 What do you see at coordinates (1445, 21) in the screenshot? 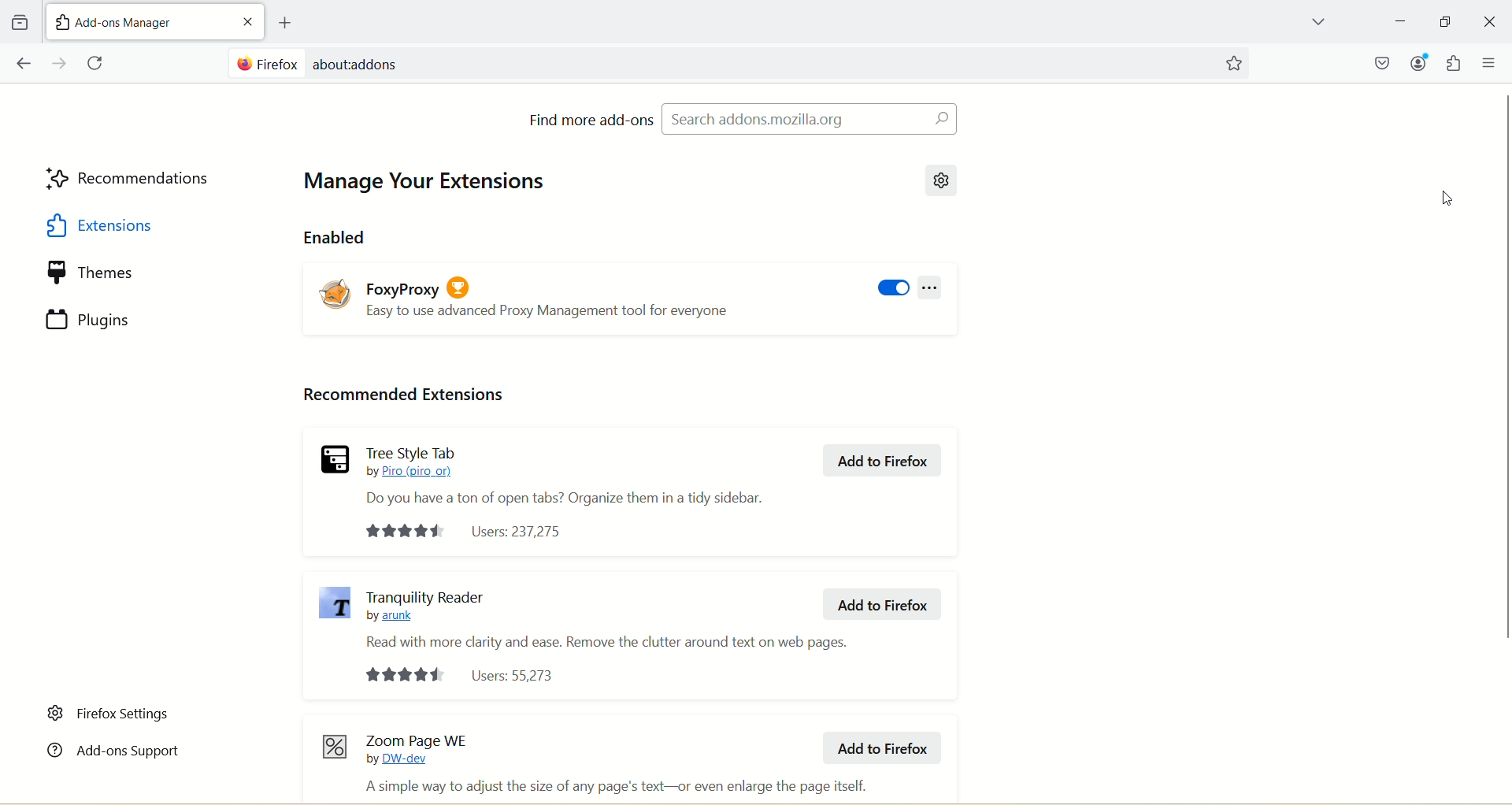
I see `Minimize` at bounding box center [1445, 21].